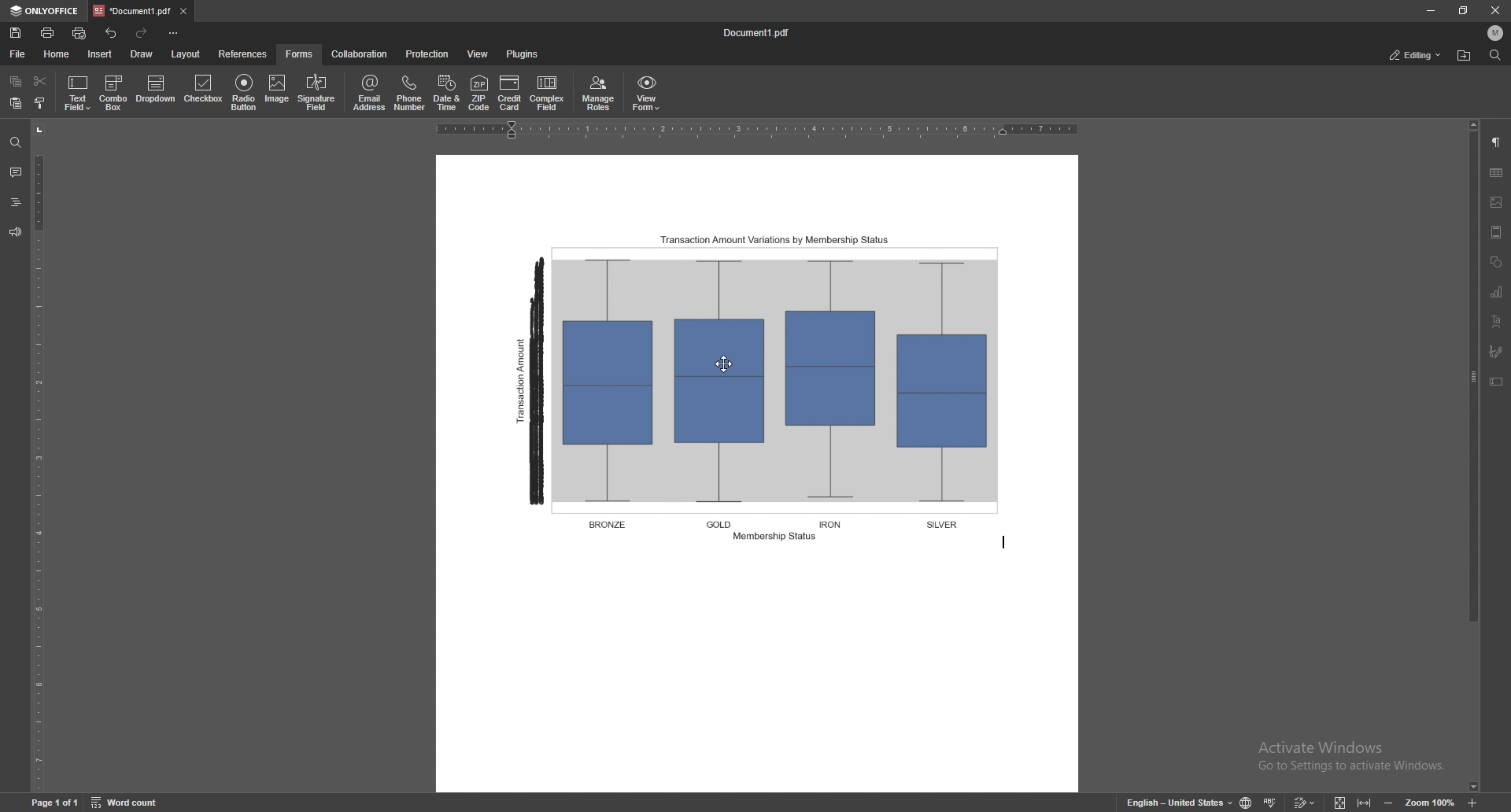  I want to click on change text language, so click(1178, 800).